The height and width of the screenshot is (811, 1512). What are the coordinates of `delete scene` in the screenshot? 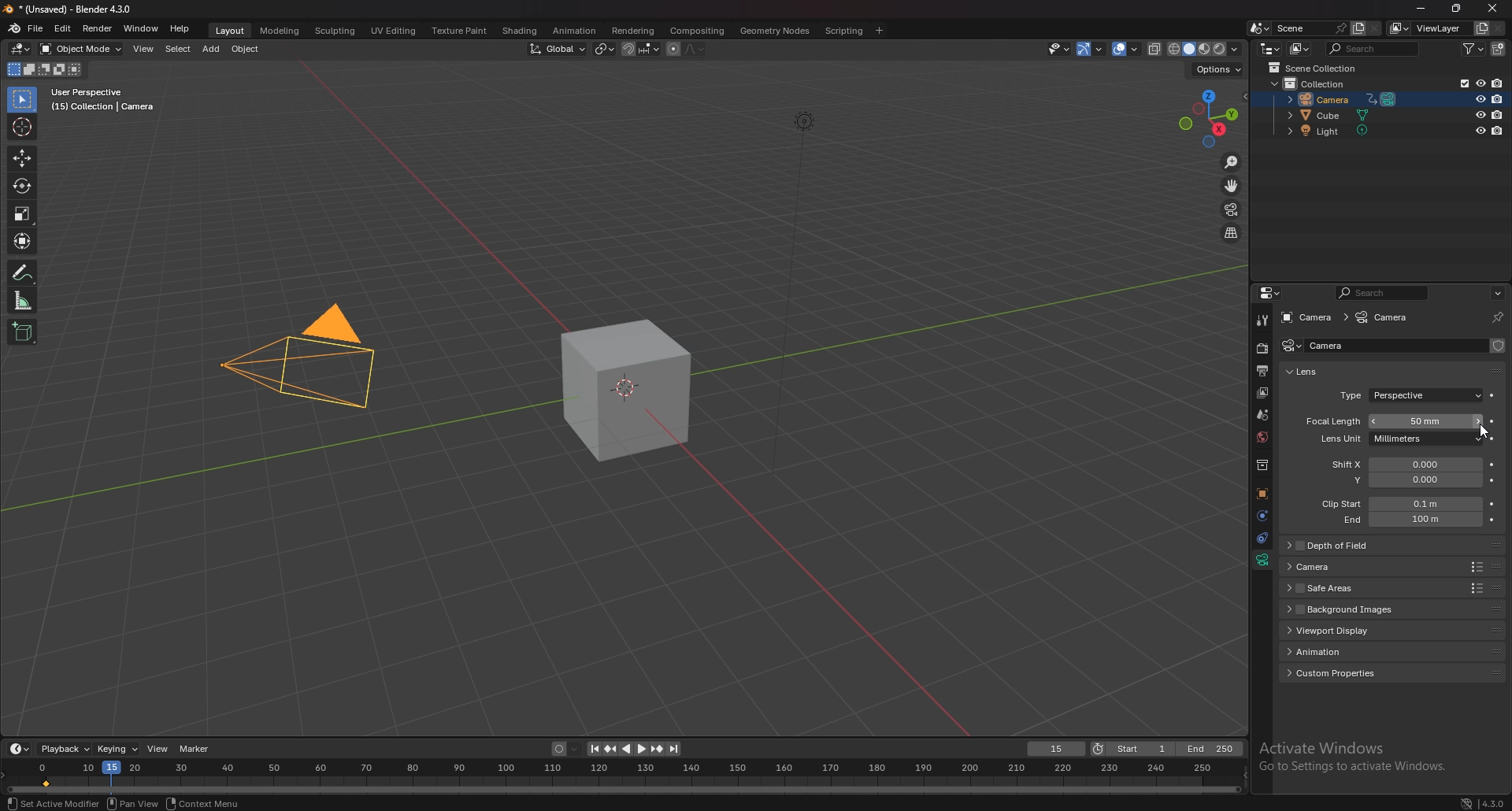 It's located at (1375, 28).